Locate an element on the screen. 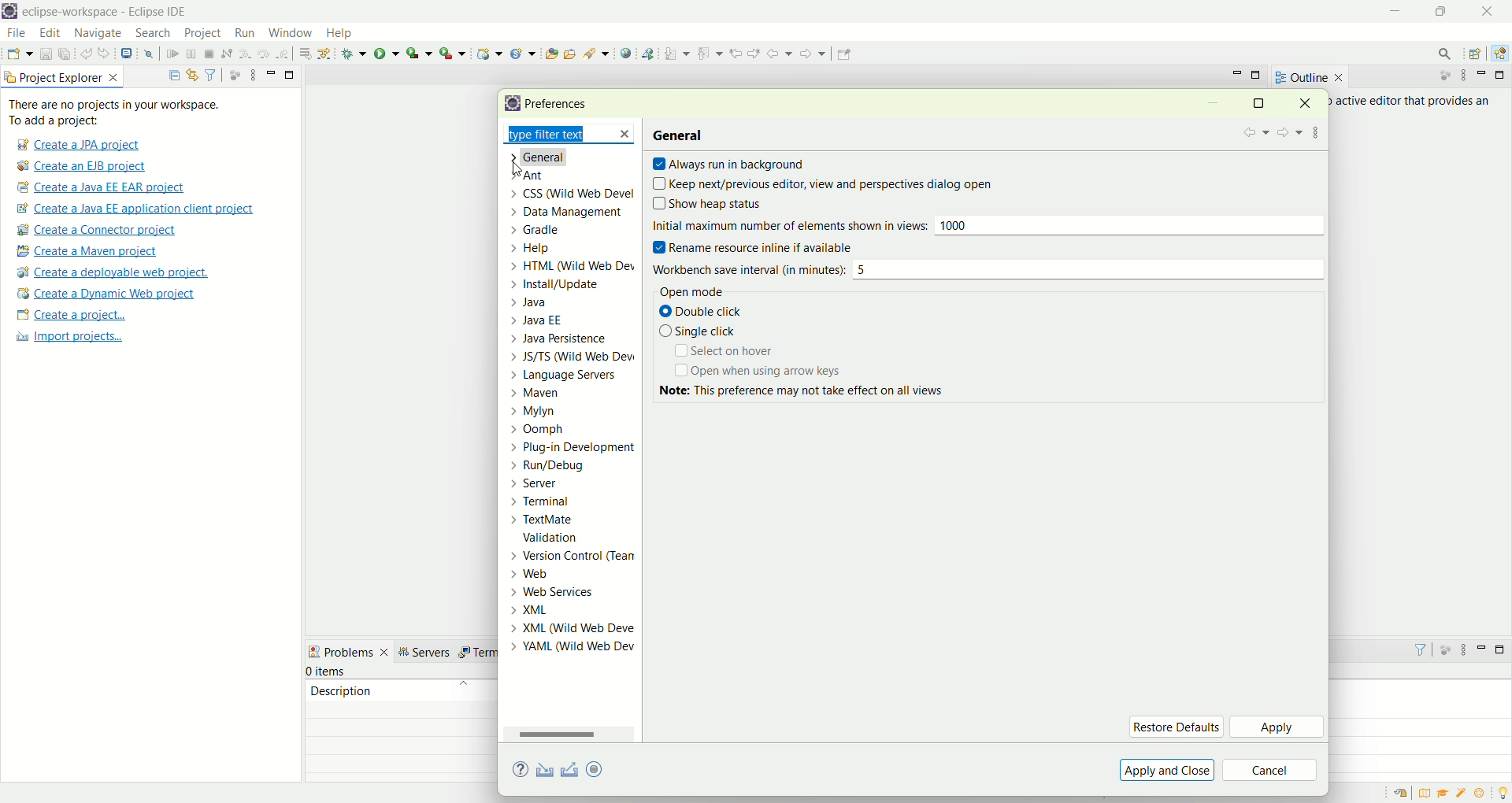 Image resolution: width=1512 pixels, height=803 pixels. double click is located at coordinates (703, 313).